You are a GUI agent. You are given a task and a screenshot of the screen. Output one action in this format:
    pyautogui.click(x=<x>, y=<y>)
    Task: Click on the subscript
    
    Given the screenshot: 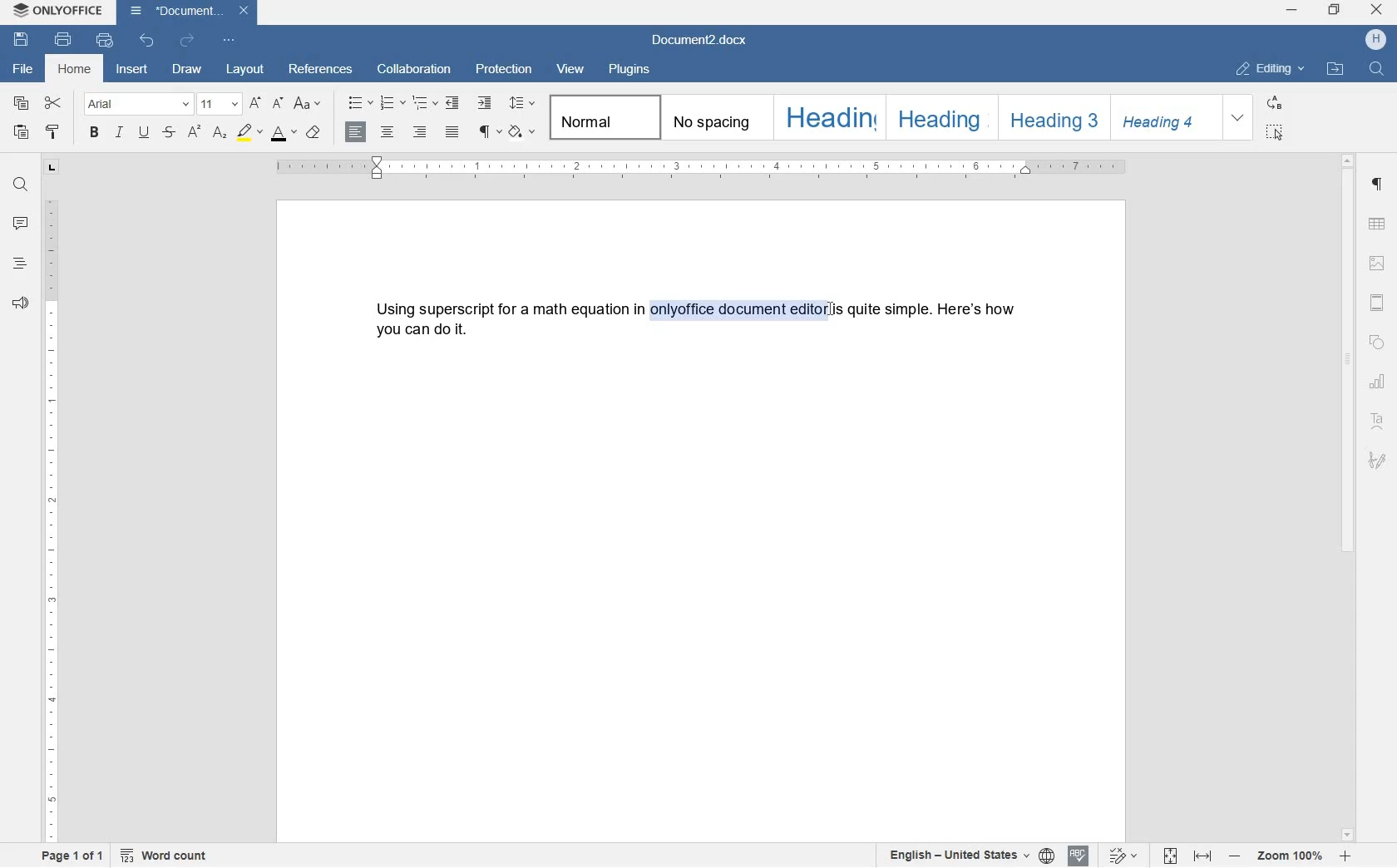 What is the action you would take?
    pyautogui.click(x=219, y=134)
    